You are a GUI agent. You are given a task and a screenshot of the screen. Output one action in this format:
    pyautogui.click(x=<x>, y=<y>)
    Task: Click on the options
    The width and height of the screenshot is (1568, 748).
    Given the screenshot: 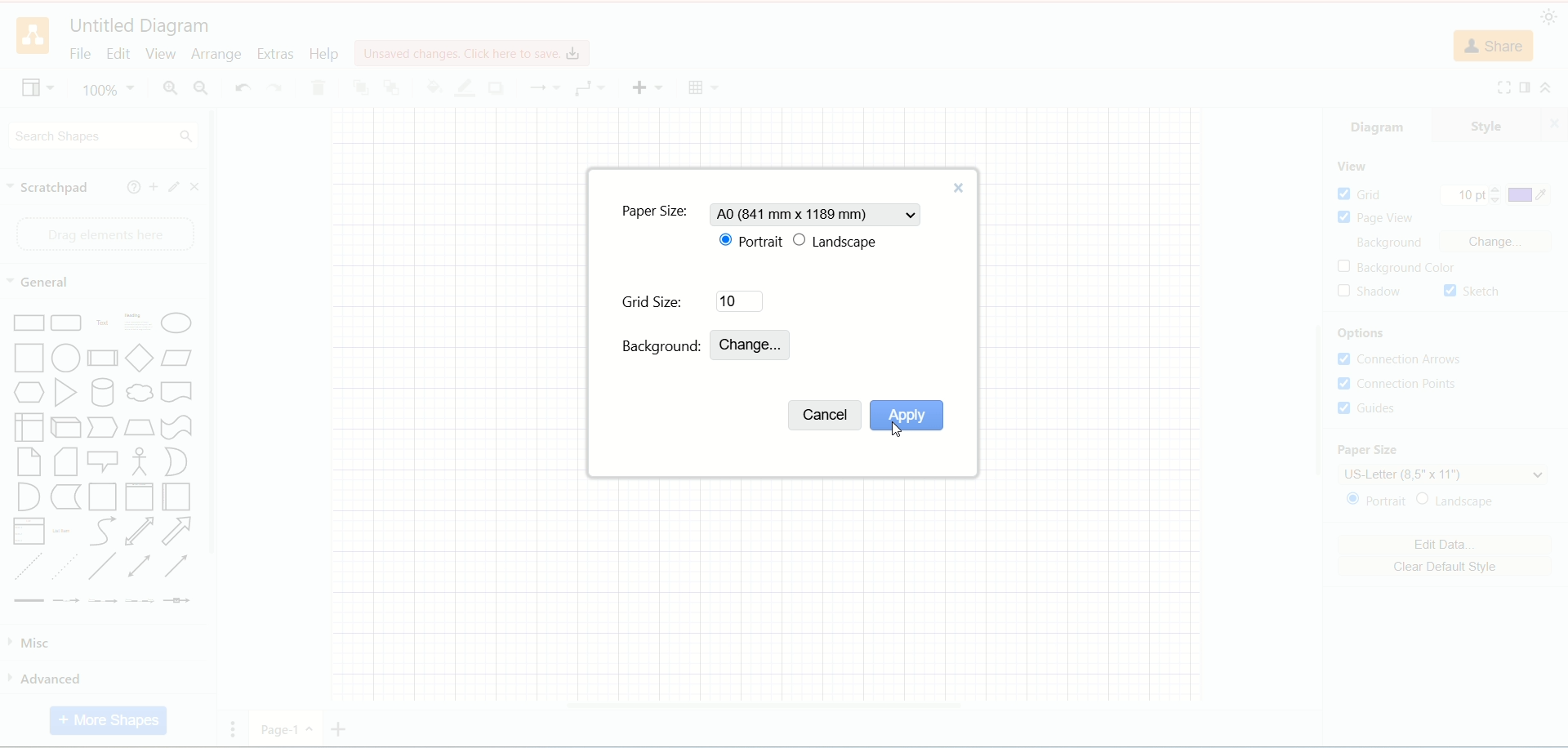 What is the action you would take?
    pyautogui.click(x=1371, y=335)
    